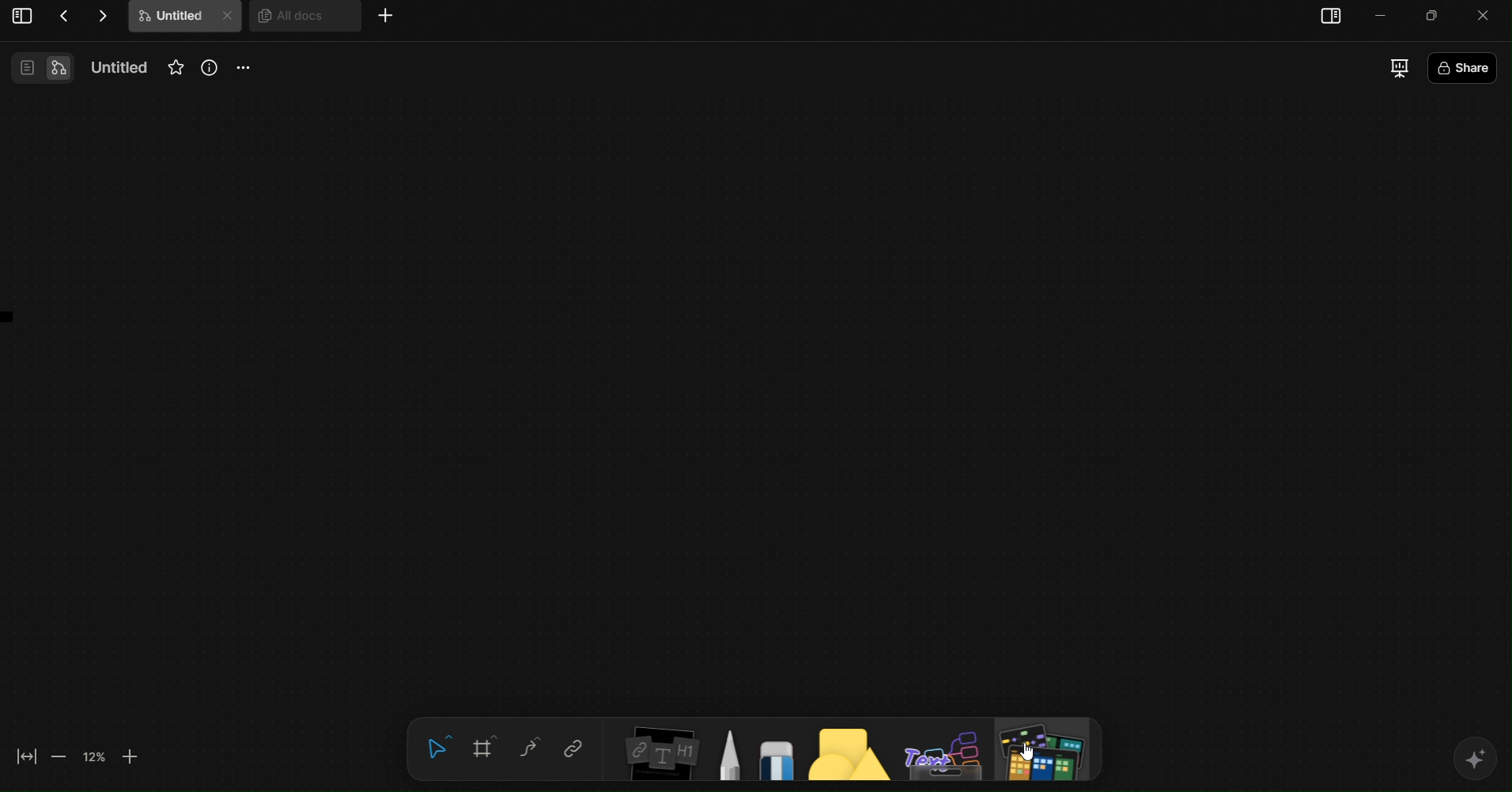  Describe the element at coordinates (659, 756) in the screenshot. I see `Insert Elements Tool` at that location.